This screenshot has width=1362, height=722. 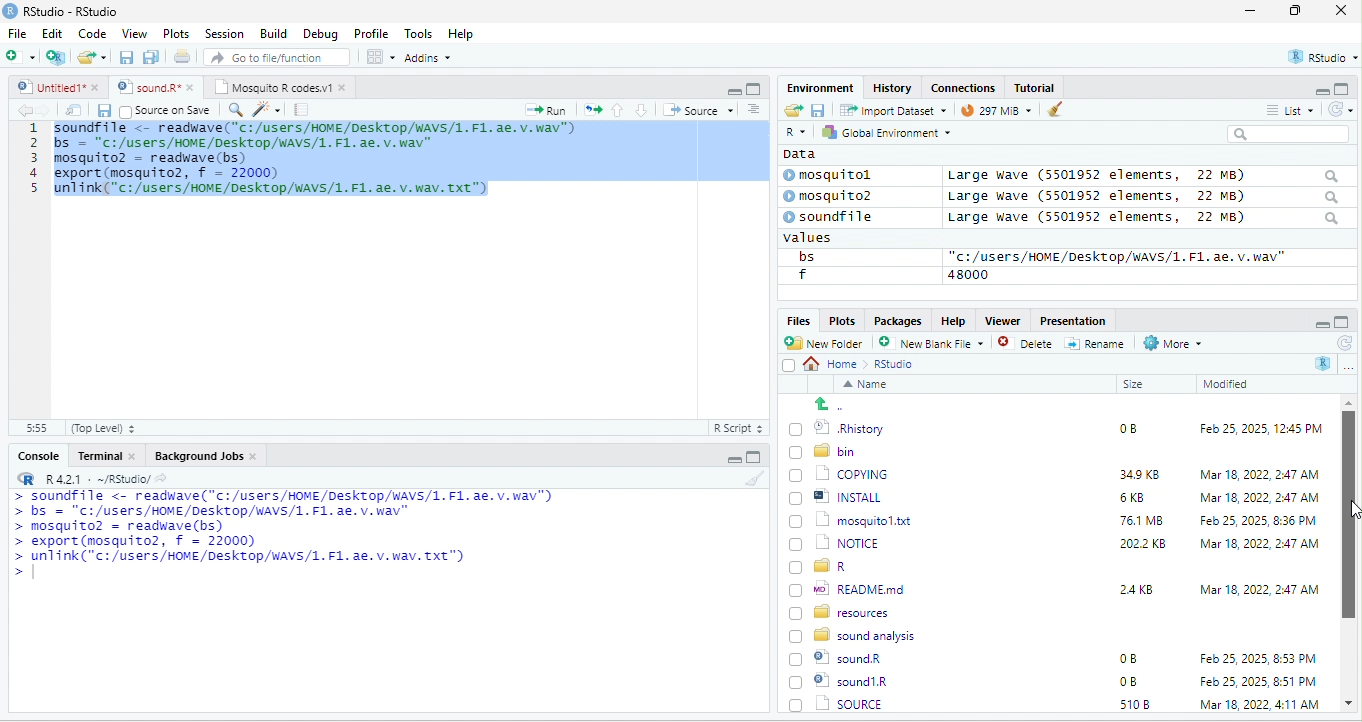 What do you see at coordinates (1258, 544) in the screenshot?
I see `‘Mar 18, 2022, 2:47 AM` at bounding box center [1258, 544].